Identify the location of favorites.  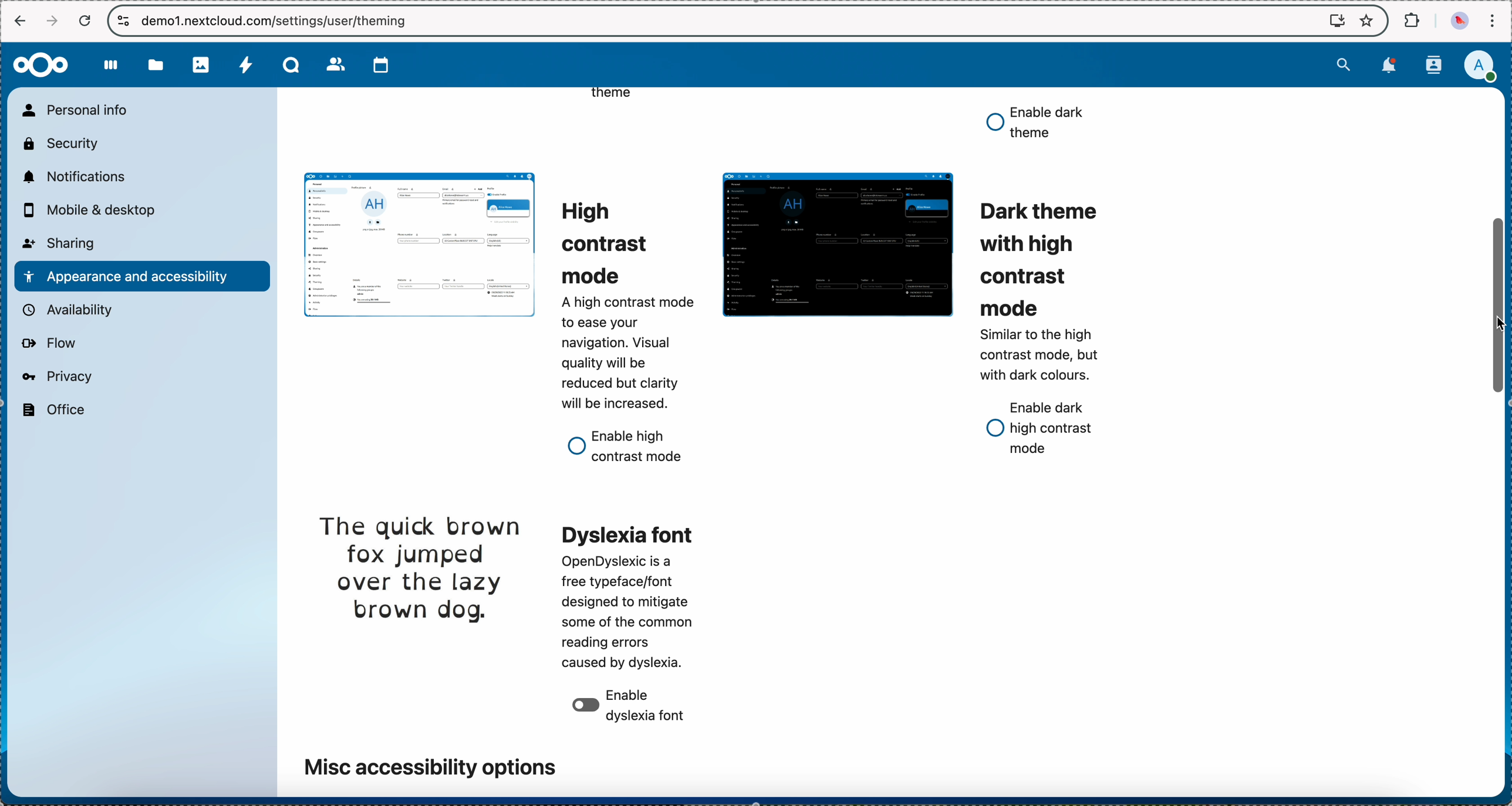
(1368, 19).